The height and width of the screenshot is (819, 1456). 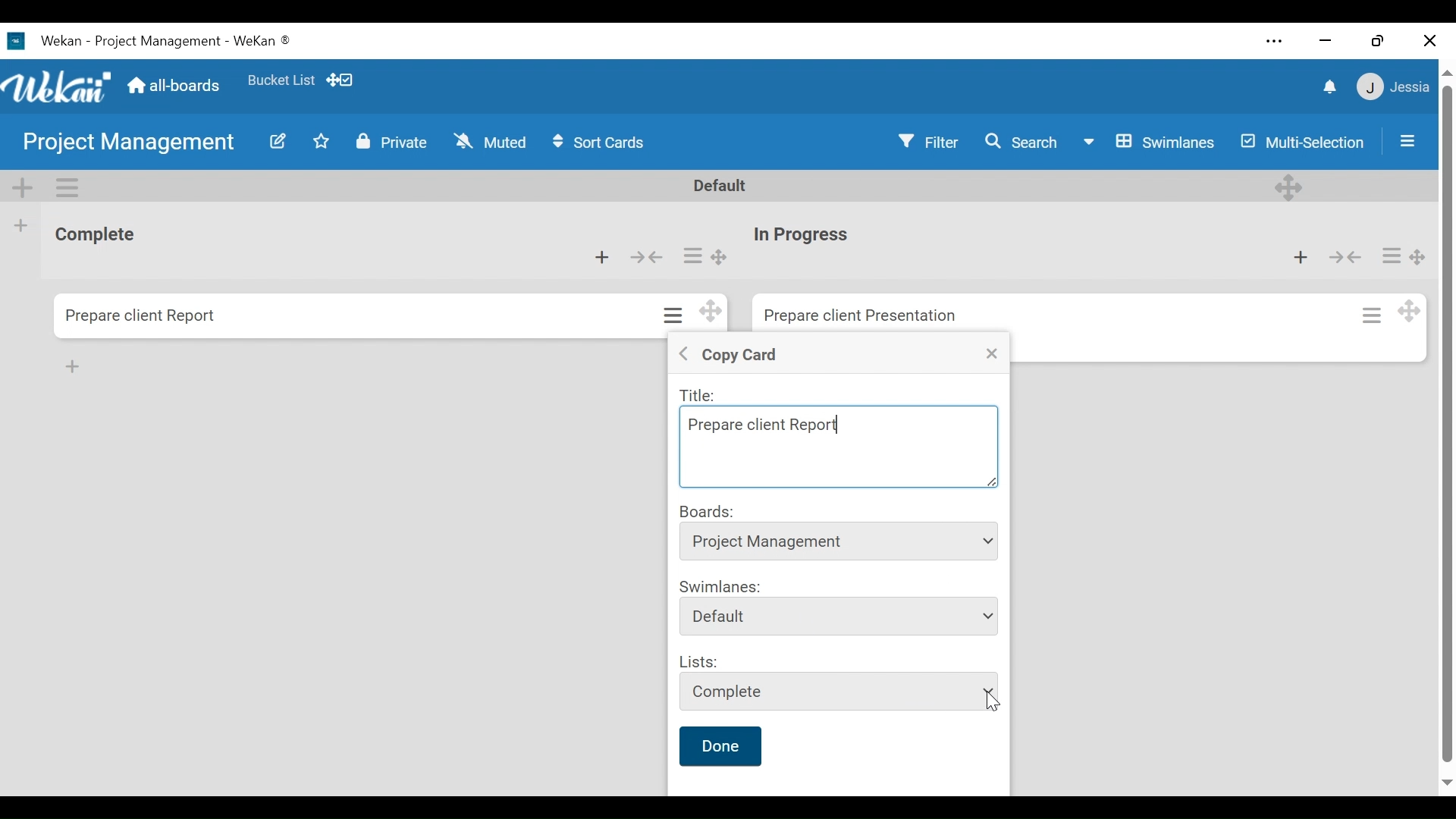 What do you see at coordinates (1420, 258) in the screenshot?
I see `Desktop drag handle` at bounding box center [1420, 258].